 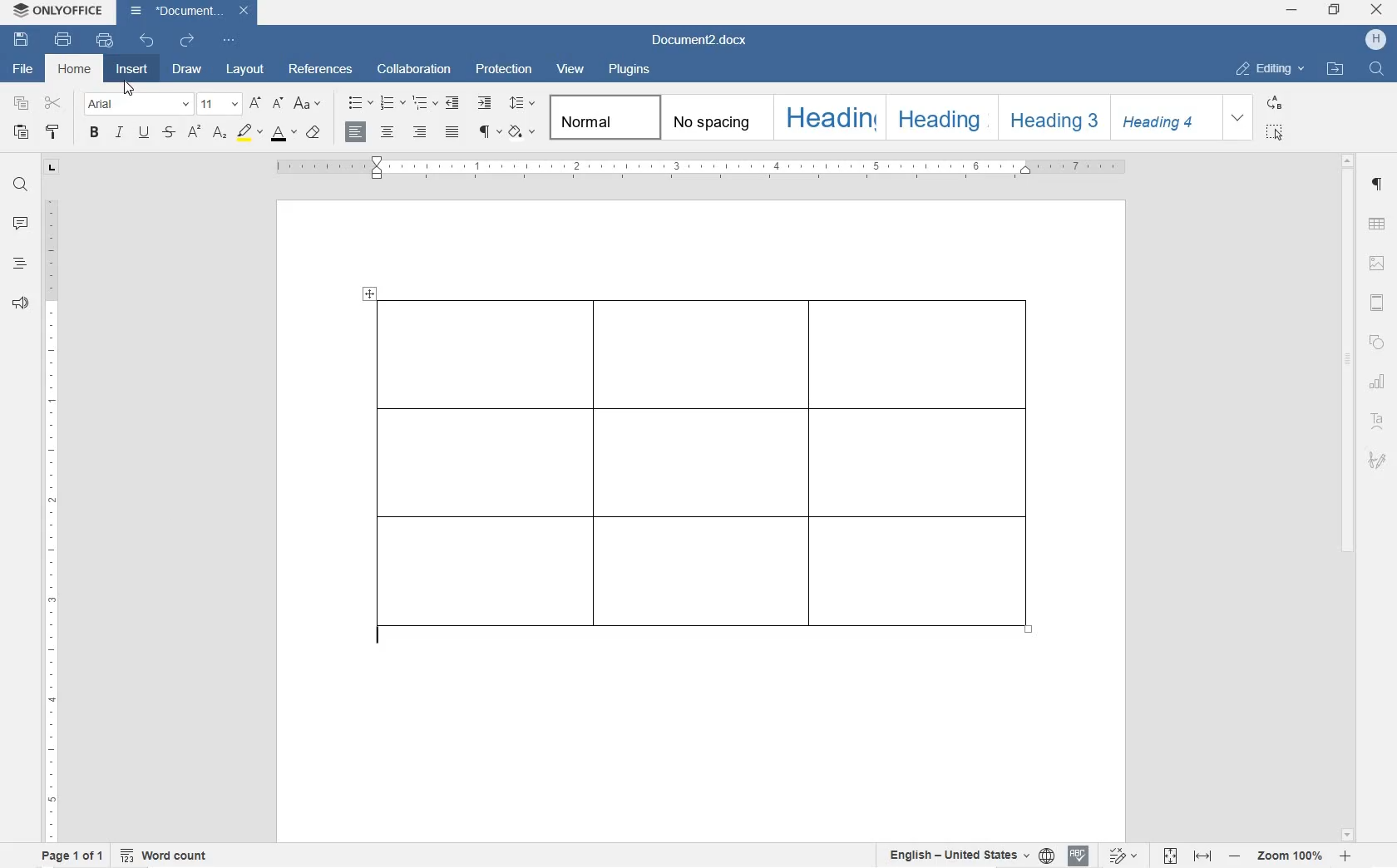 I want to click on textart, so click(x=1376, y=418).